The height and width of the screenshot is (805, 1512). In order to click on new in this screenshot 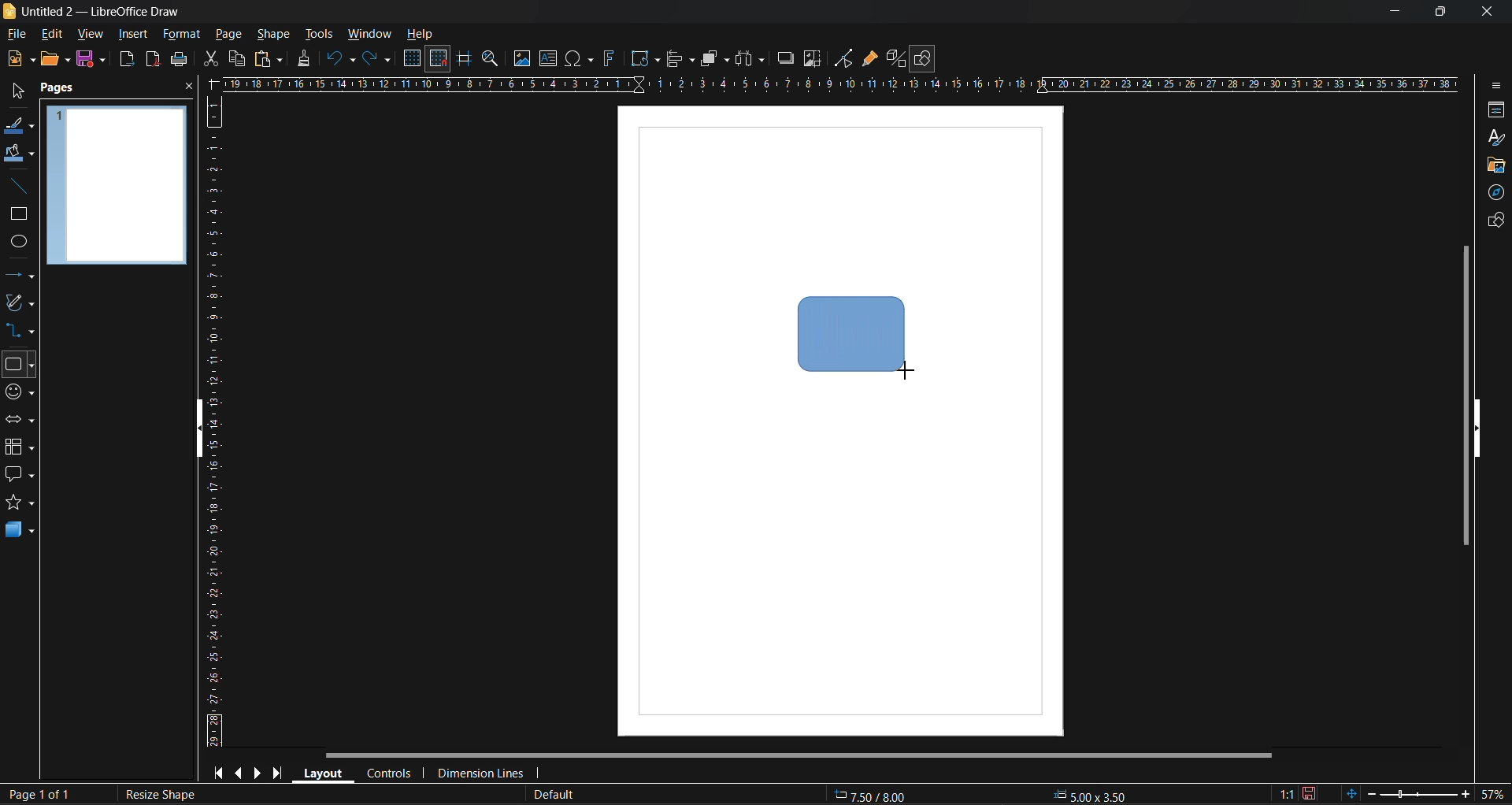, I will do `click(20, 58)`.